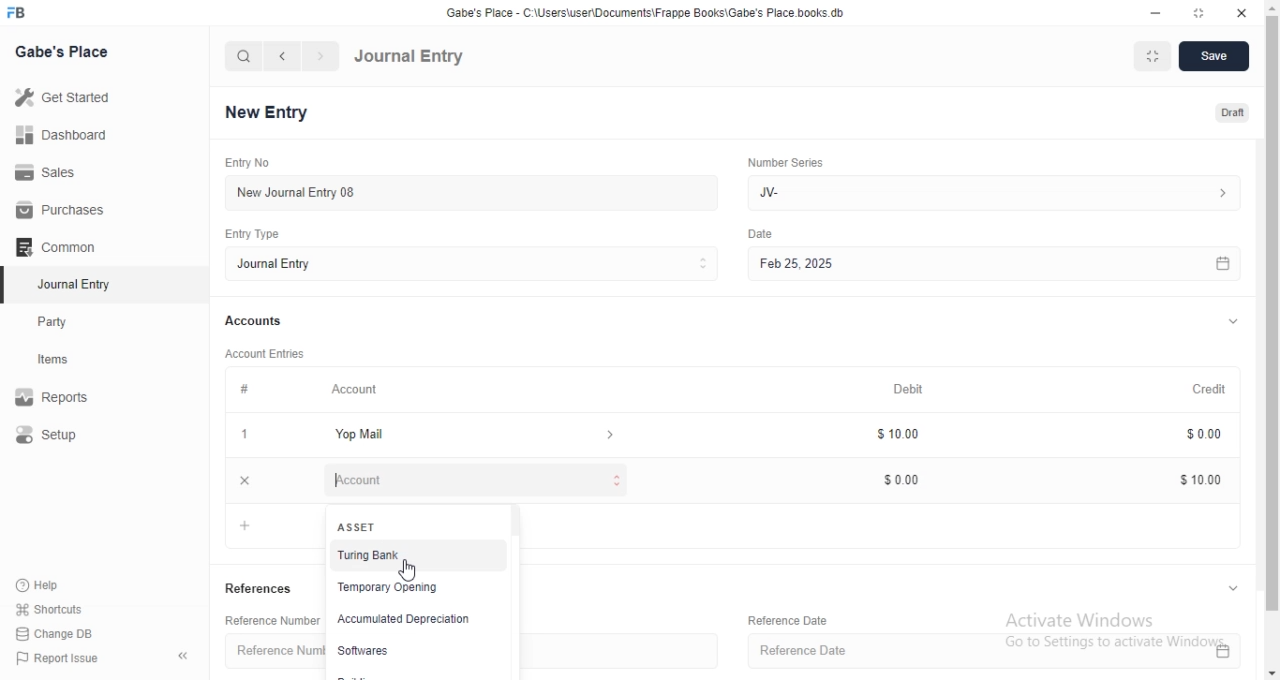  What do you see at coordinates (470, 192) in the screenshot?
I see `New Journal Entry 08` at bounding box center [470, 192].